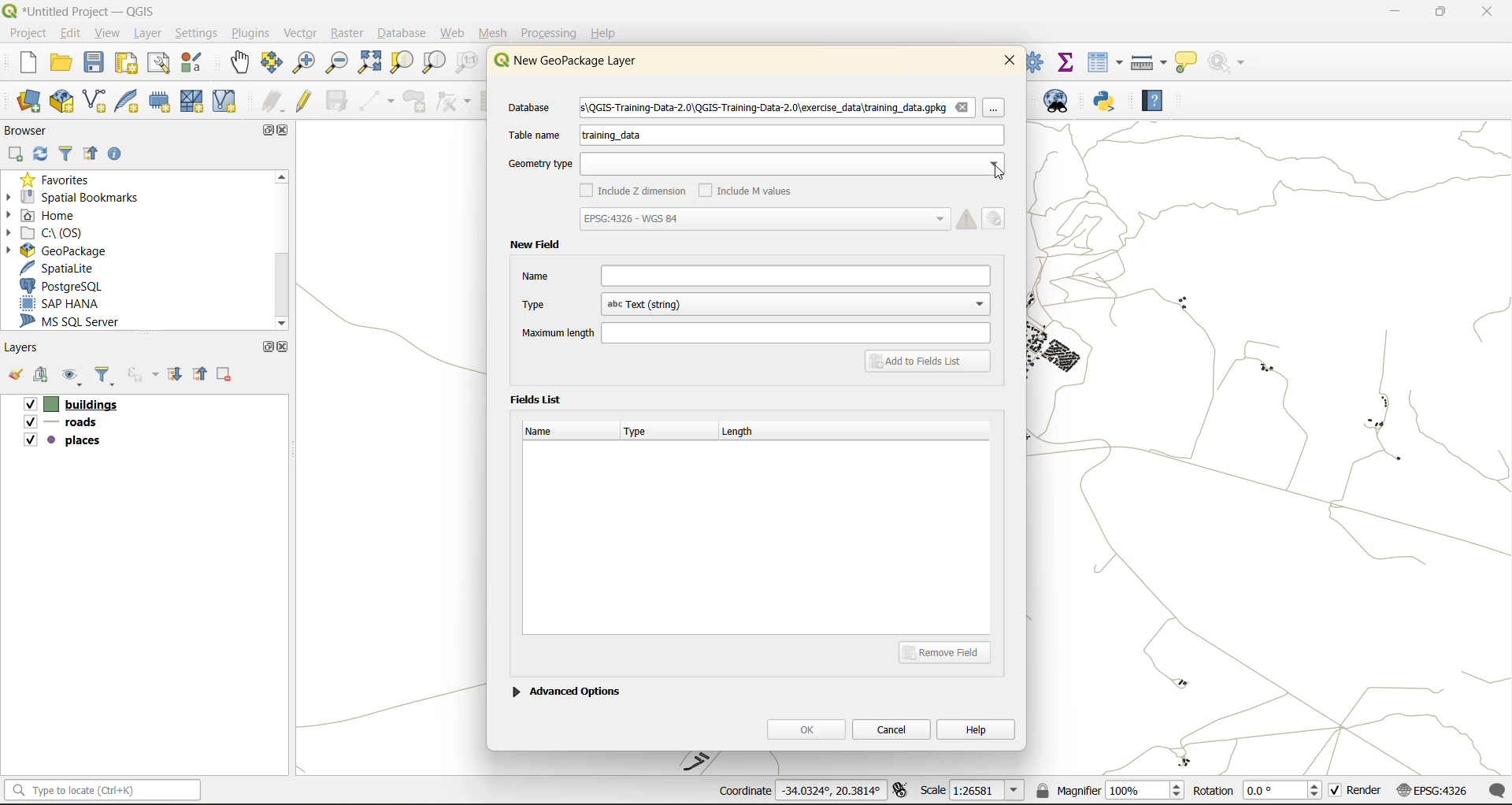  I want to click on open, so click(14, 378).